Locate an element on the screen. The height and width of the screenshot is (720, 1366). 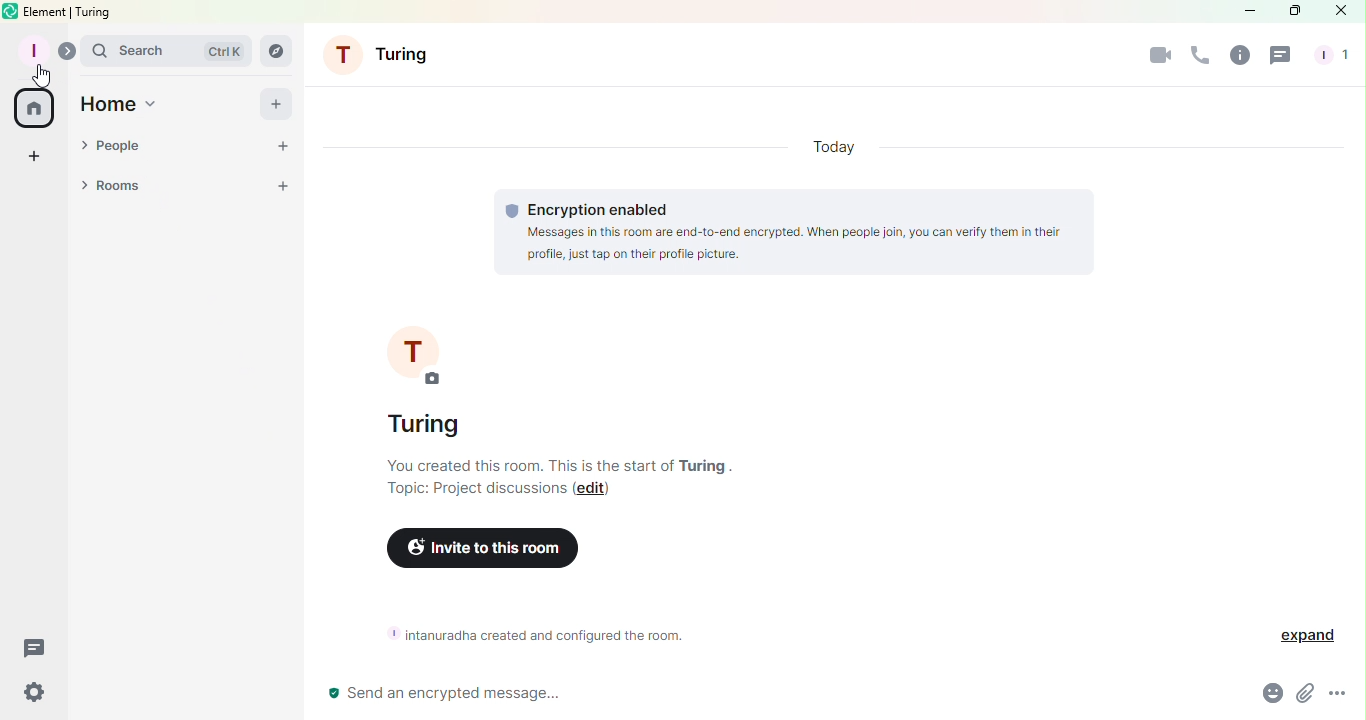
Expand is located at coordinates (72, 49).